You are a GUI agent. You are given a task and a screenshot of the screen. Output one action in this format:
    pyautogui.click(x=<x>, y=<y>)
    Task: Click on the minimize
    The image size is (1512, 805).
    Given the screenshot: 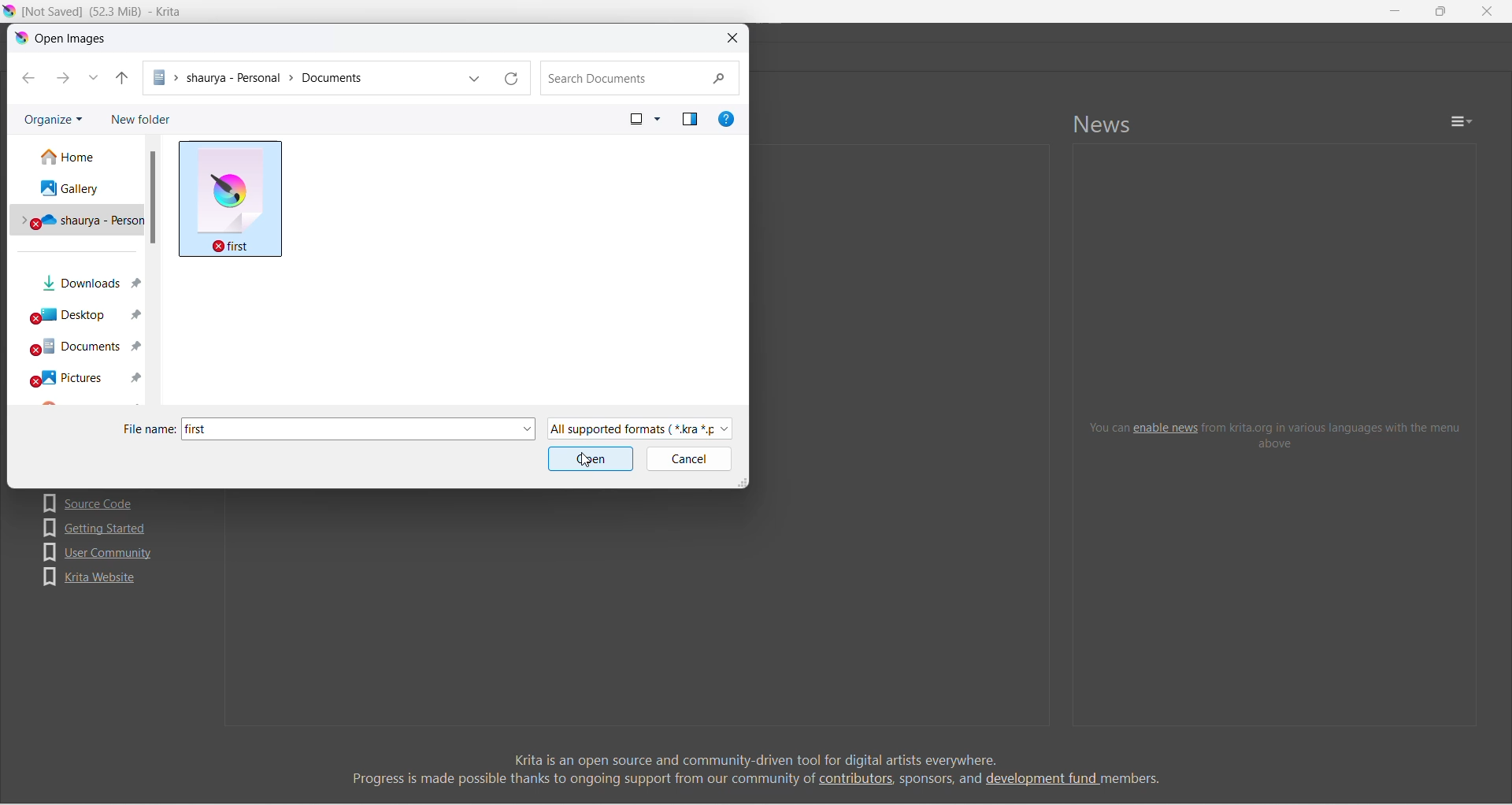 What is the action you would take?
    pyautogui.click(x=1395, y=11)
    